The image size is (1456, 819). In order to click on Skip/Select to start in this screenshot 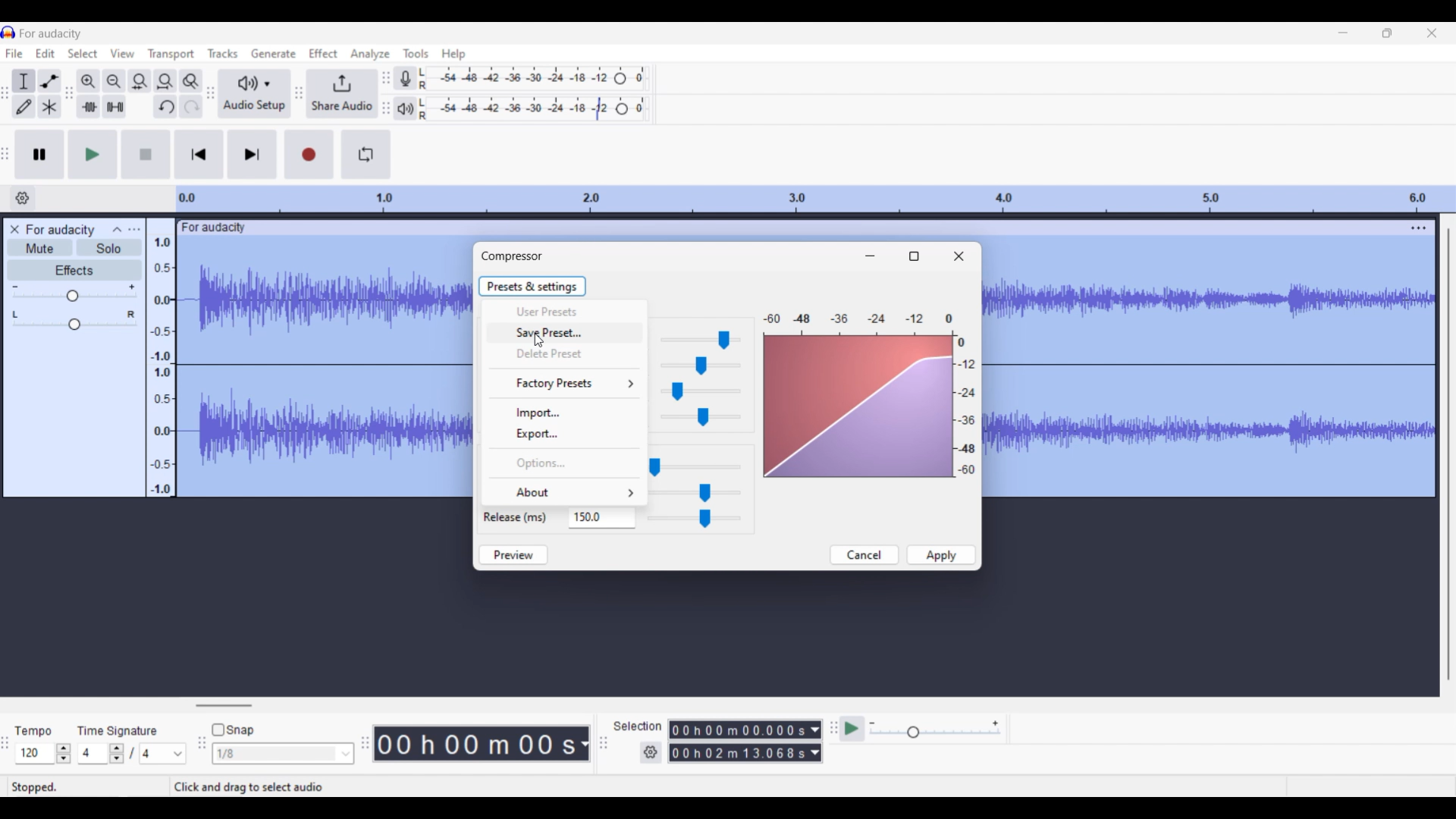, I will do `click(199, 155)`.